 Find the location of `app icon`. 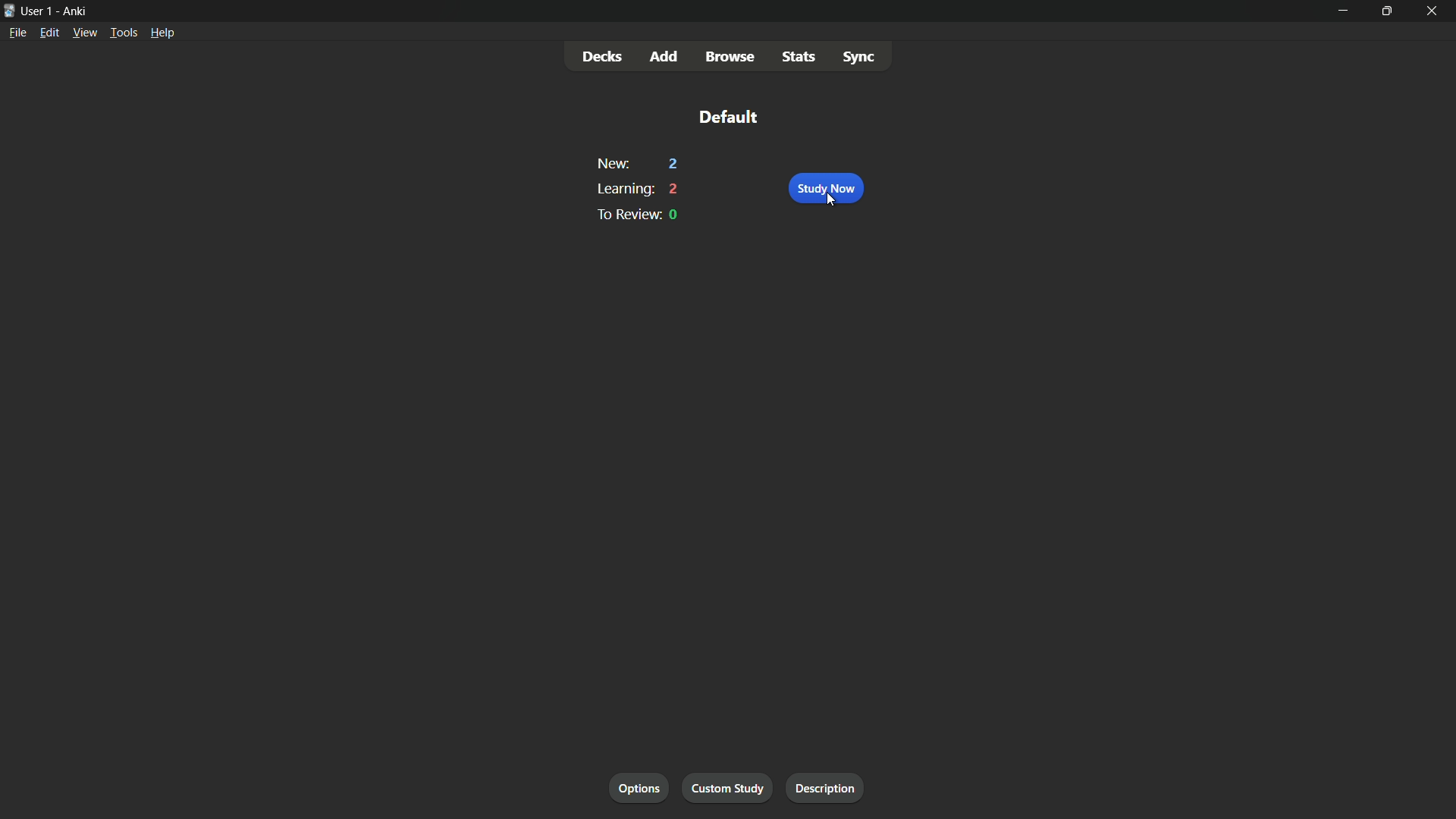

app icon is located at coordinates (9, 9).